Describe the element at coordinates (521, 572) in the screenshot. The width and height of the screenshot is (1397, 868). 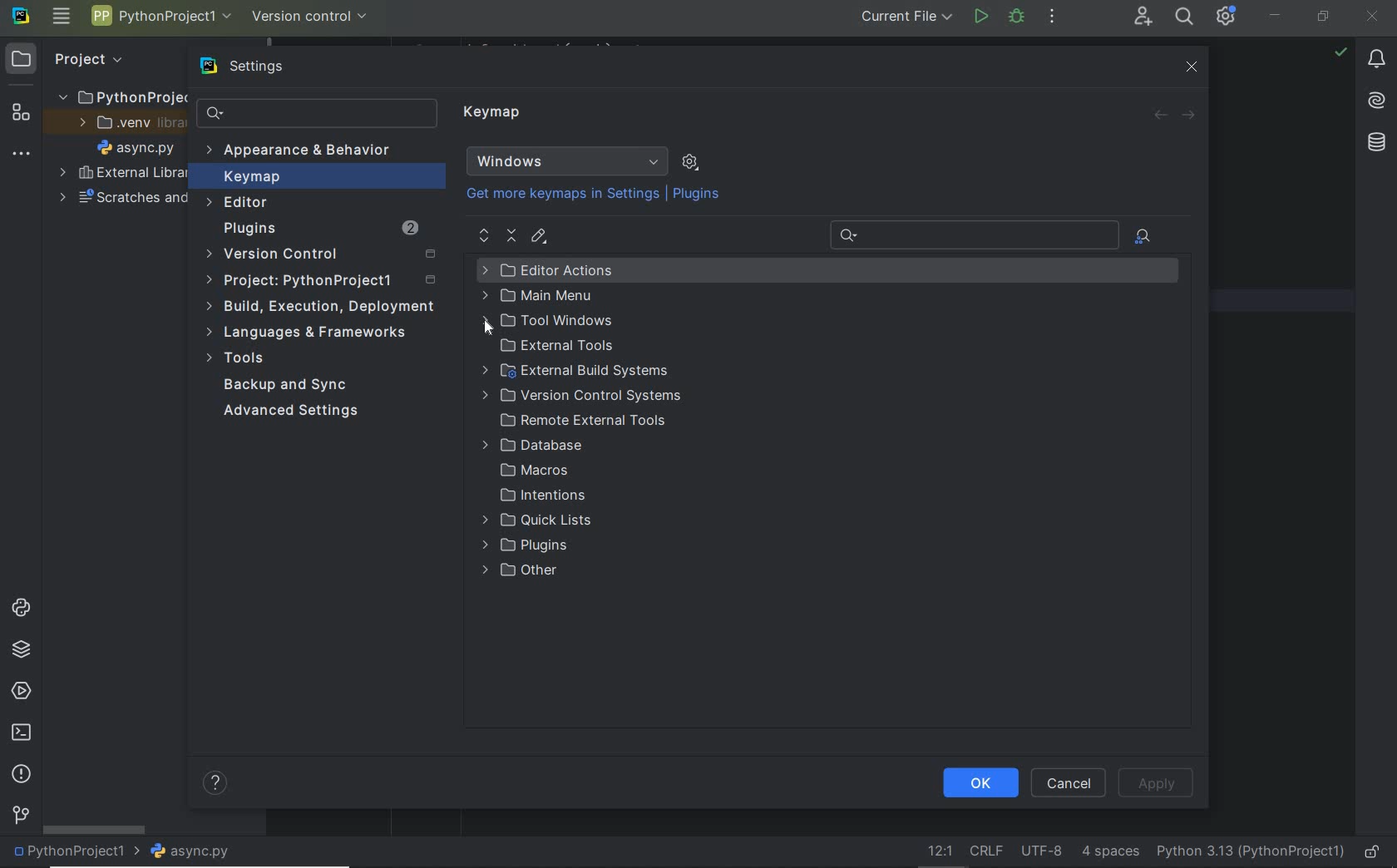
I see `Other` at that location.